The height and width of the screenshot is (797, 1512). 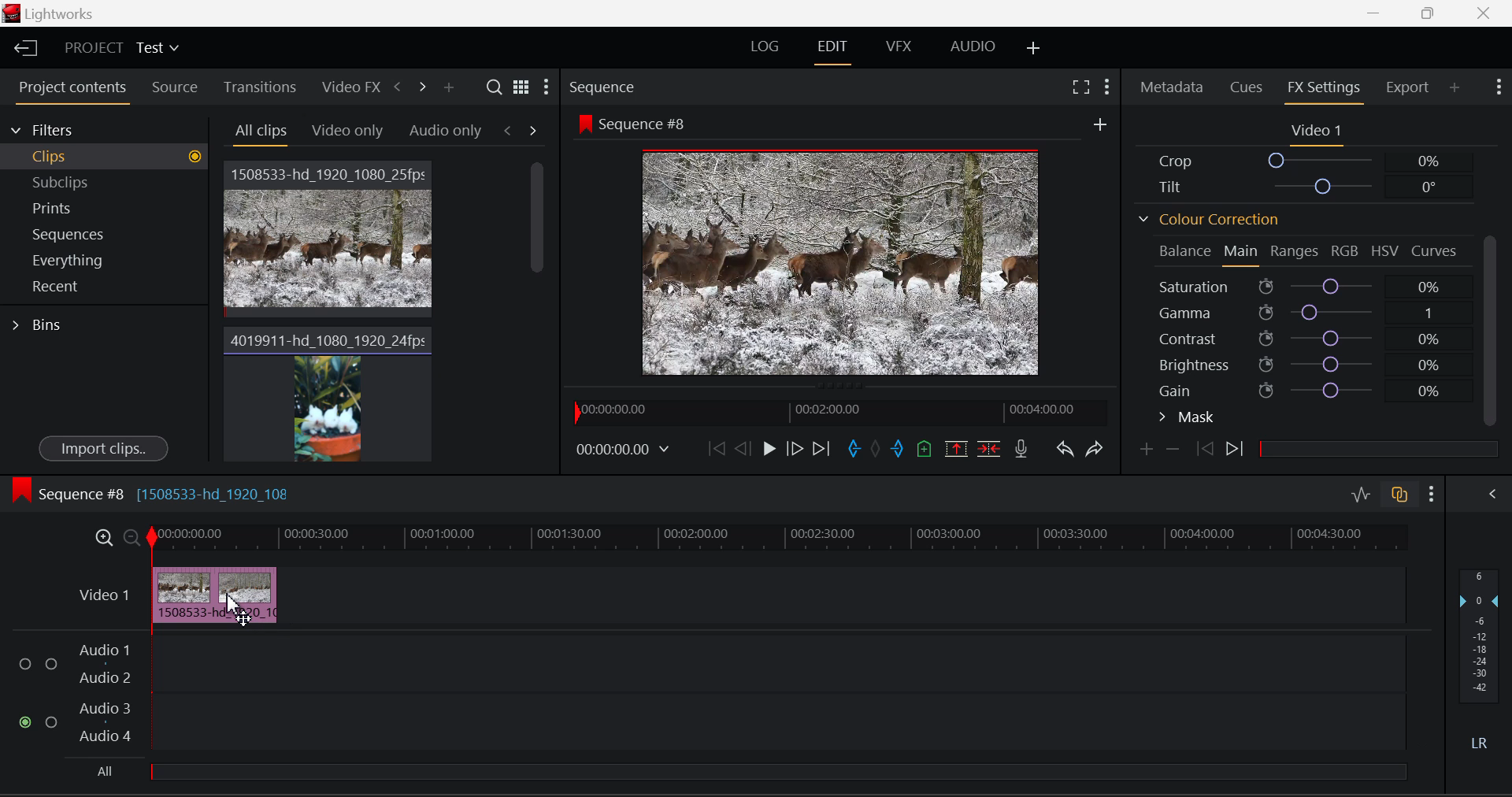 What do you see at coordinates (852, 449) in the screenshot?
I see `Cut In` at bounding box center [852, 449].